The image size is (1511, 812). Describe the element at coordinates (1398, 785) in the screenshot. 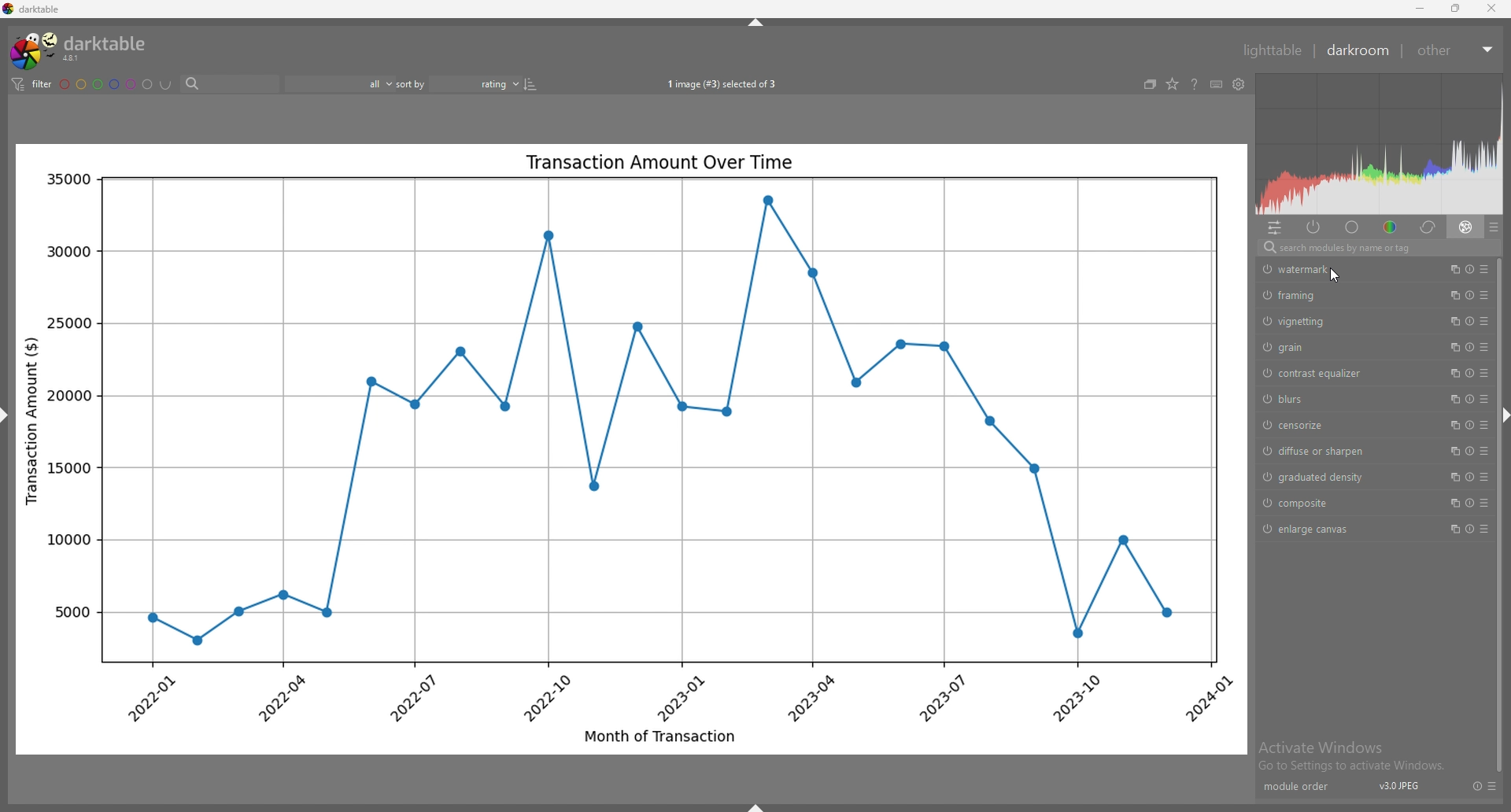

I see `version` at that location.